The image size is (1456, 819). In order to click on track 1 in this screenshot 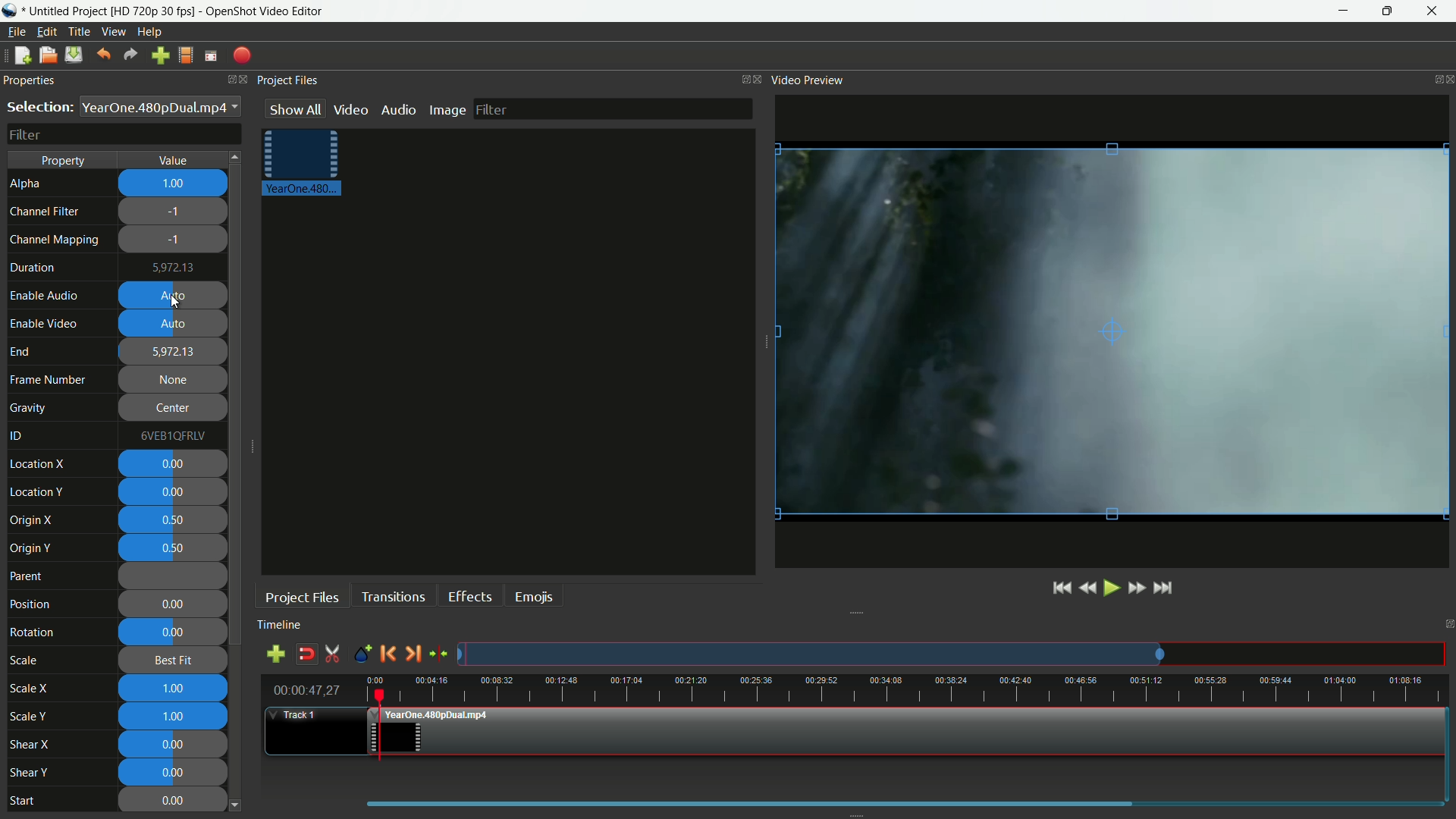, I will do `click(302, 717)`.